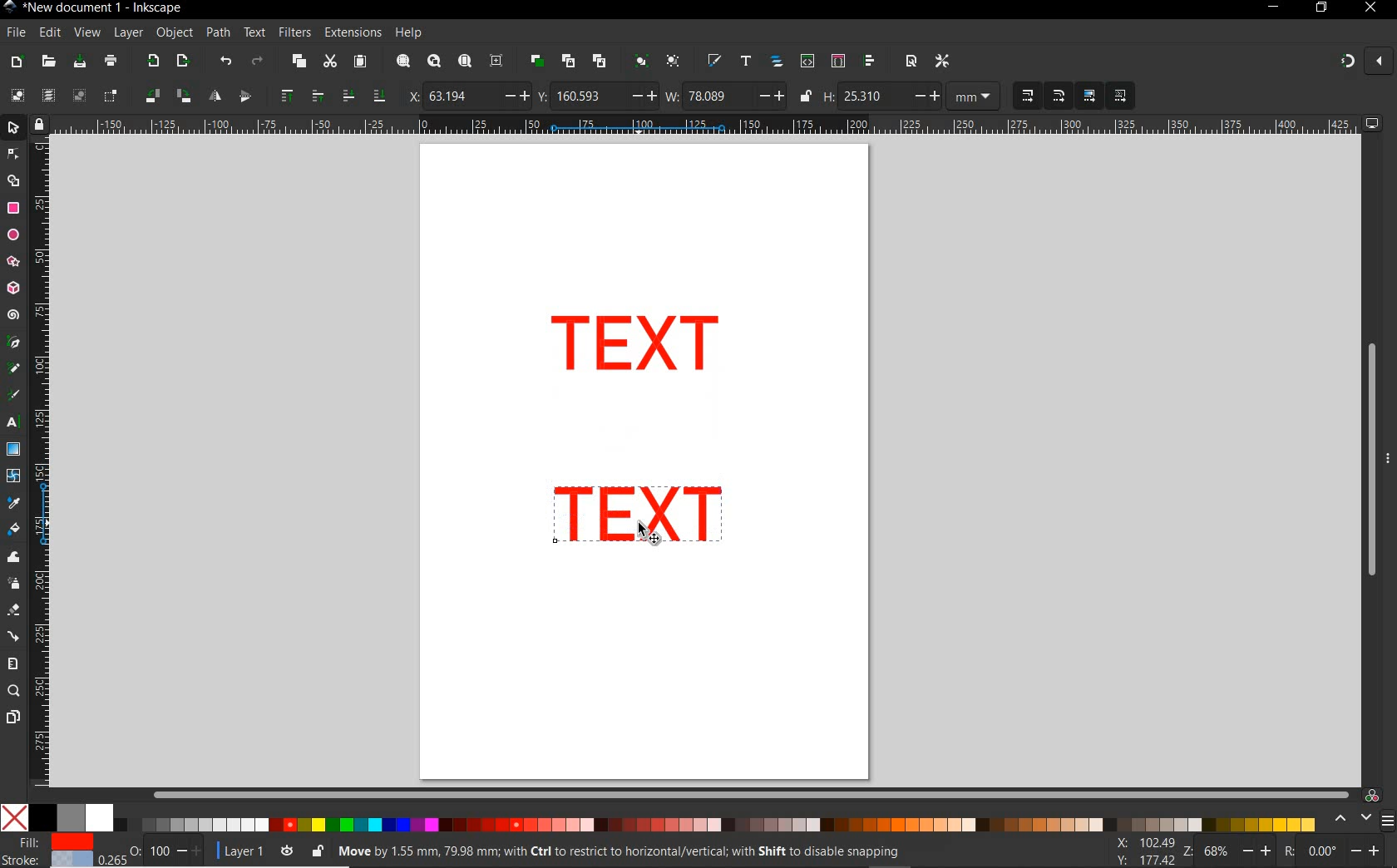 Image resolution: width=1397 pixels, height=868 pixels. I want to click on open align and distribute, so click(871, 62).